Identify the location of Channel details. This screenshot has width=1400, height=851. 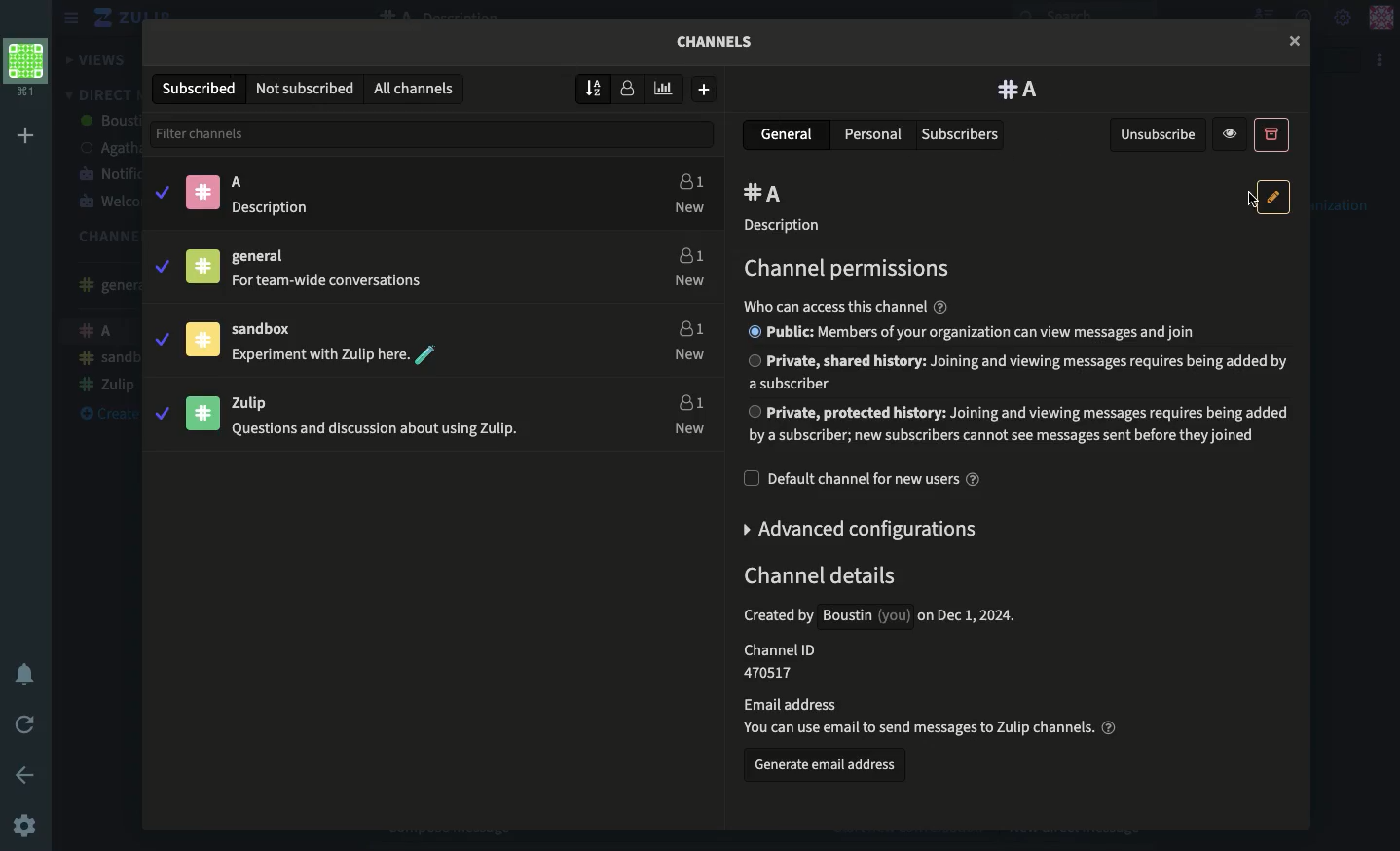
(918, 650).